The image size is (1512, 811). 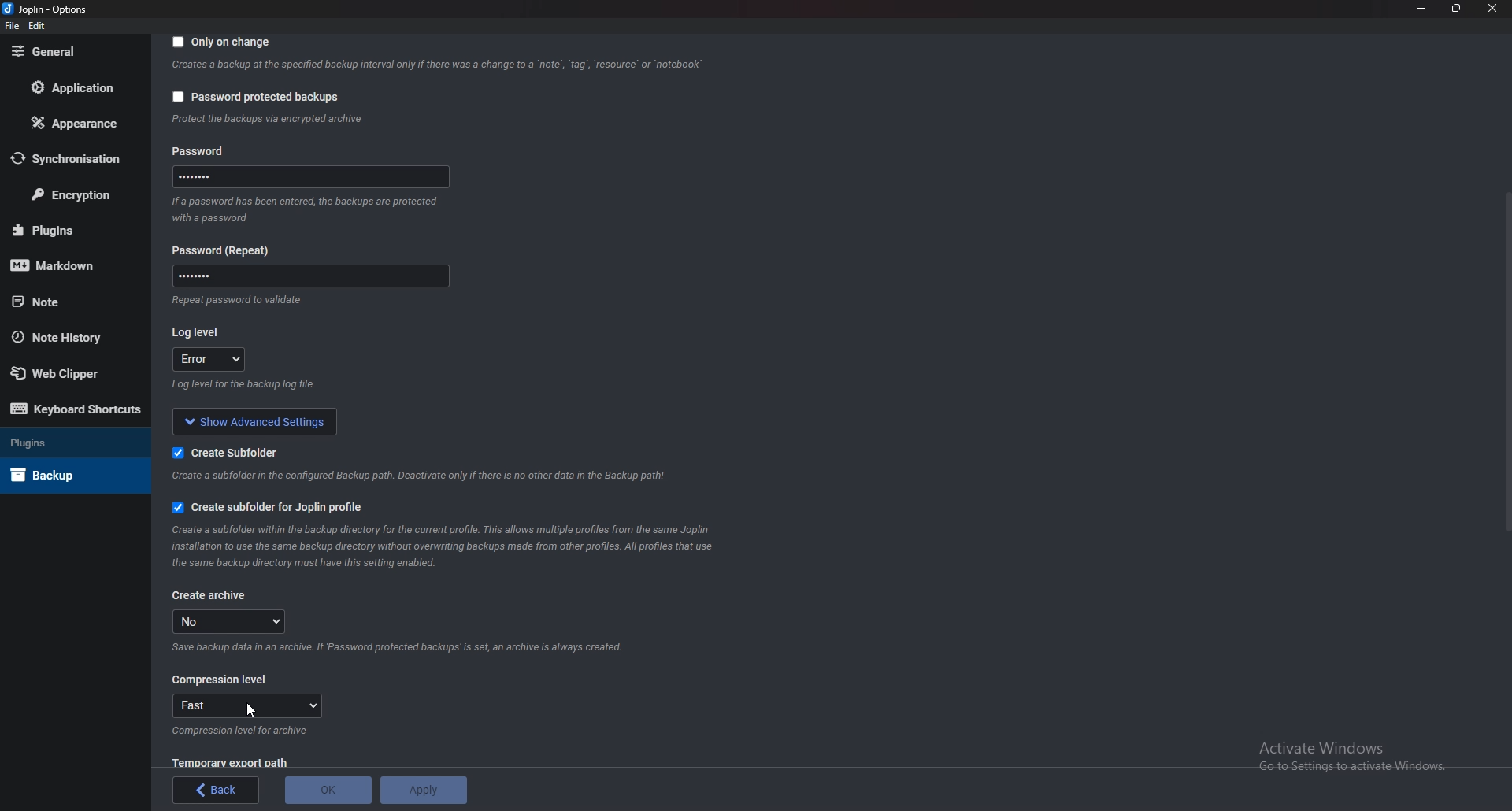 What do you see at coordinates (76, 408) in the screenshot?
I see `Keyboard shortcuts` at bounding box center [76, 408].